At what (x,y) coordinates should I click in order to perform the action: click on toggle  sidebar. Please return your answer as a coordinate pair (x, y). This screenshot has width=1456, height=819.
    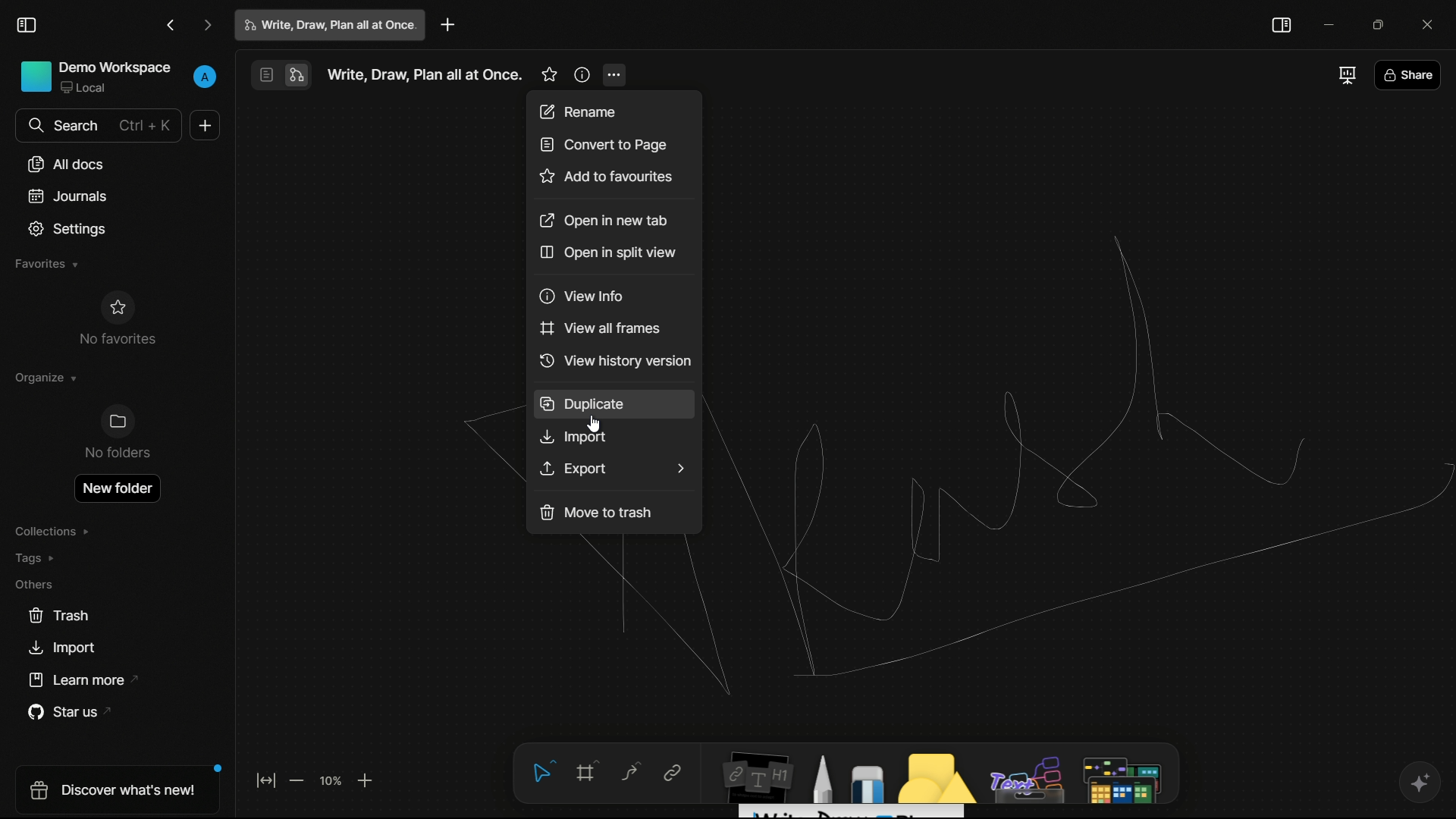
    Looking at the image, I should click on (25, 27).